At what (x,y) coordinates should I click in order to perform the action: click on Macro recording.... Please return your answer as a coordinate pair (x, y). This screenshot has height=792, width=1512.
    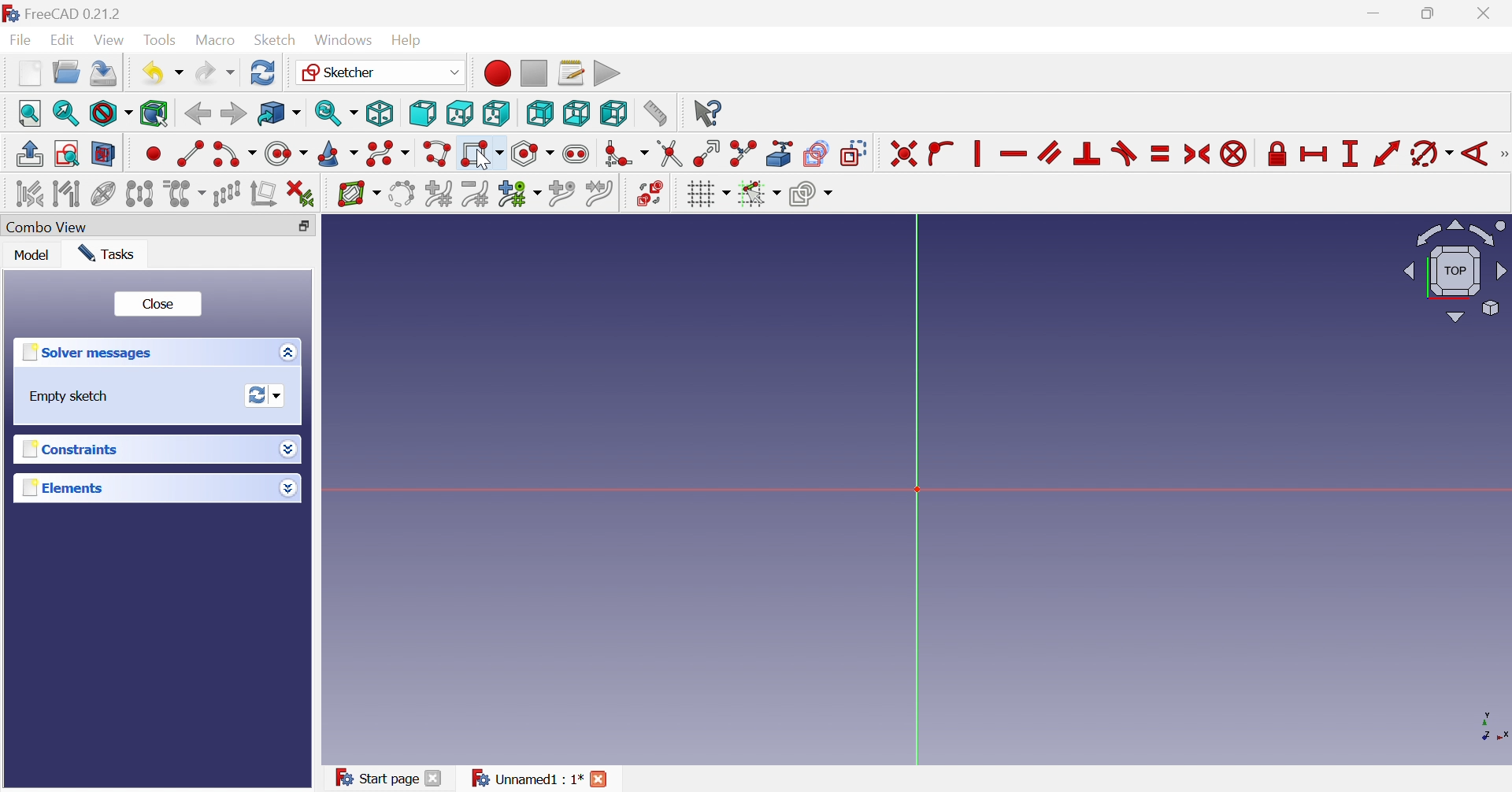
    Looking at the image, I should click on (496, 72).